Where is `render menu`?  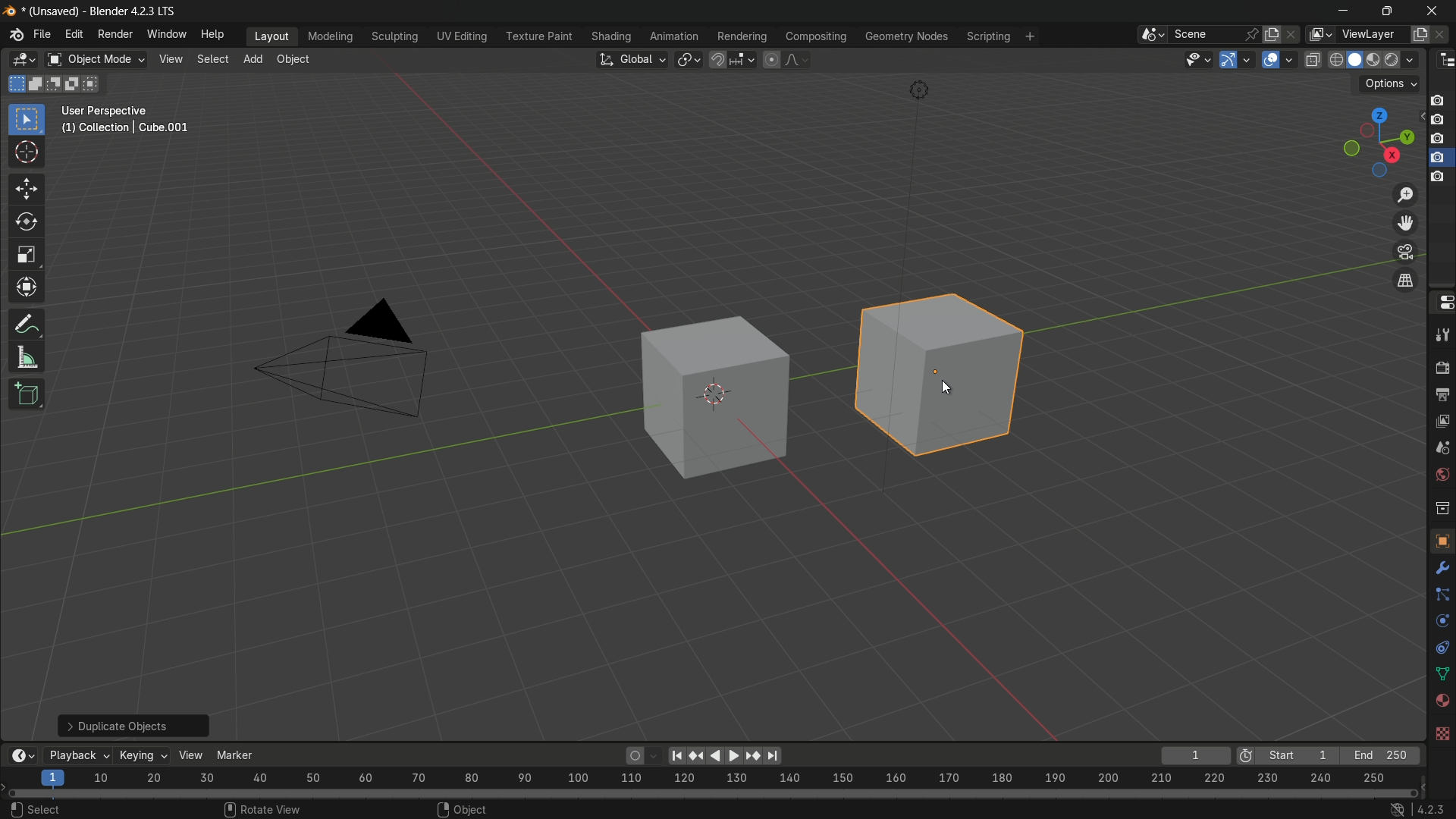 render menu is located at coordinates (117, 33).